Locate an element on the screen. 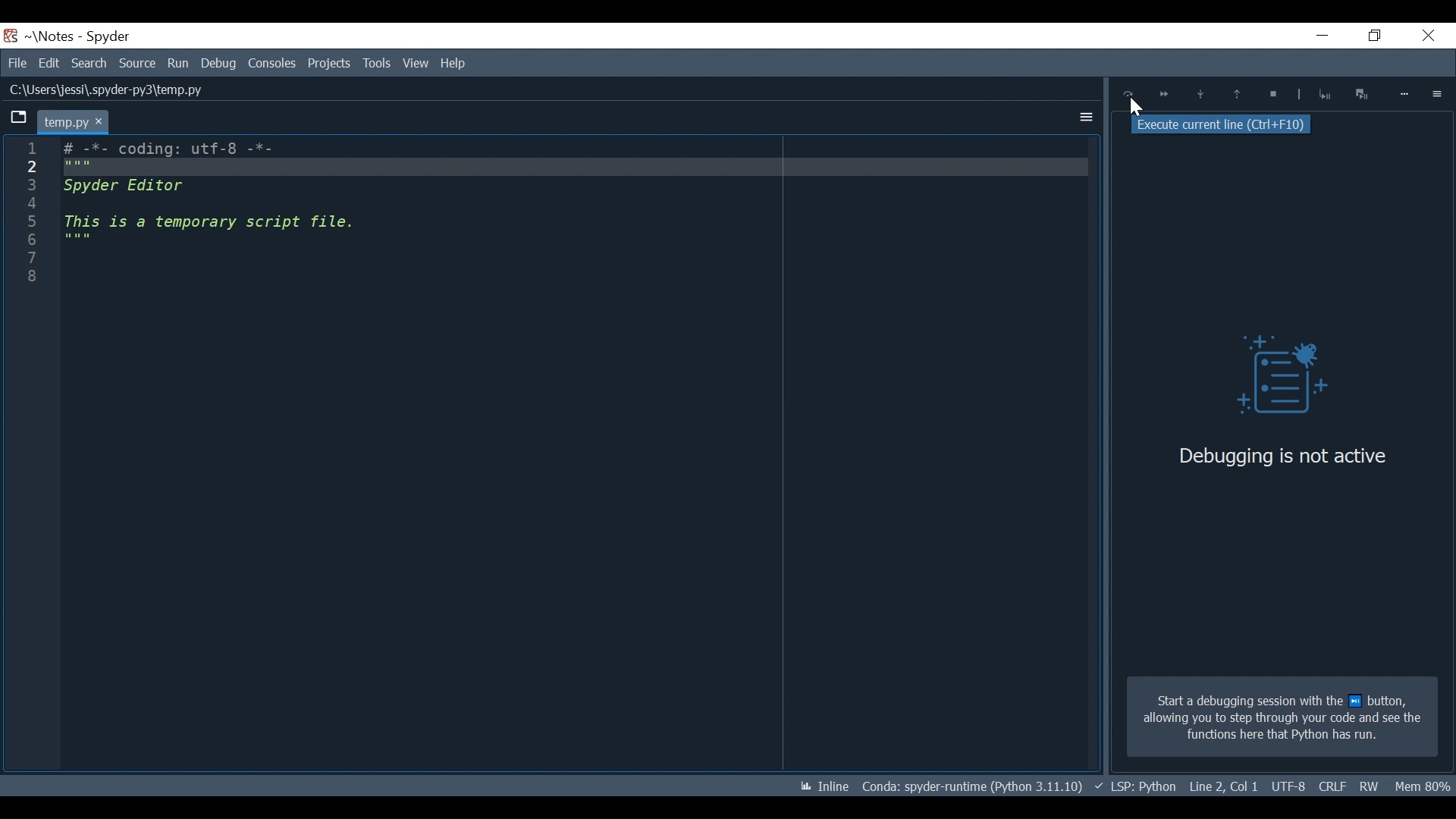  Current tab is located at coordinates (74, 121).